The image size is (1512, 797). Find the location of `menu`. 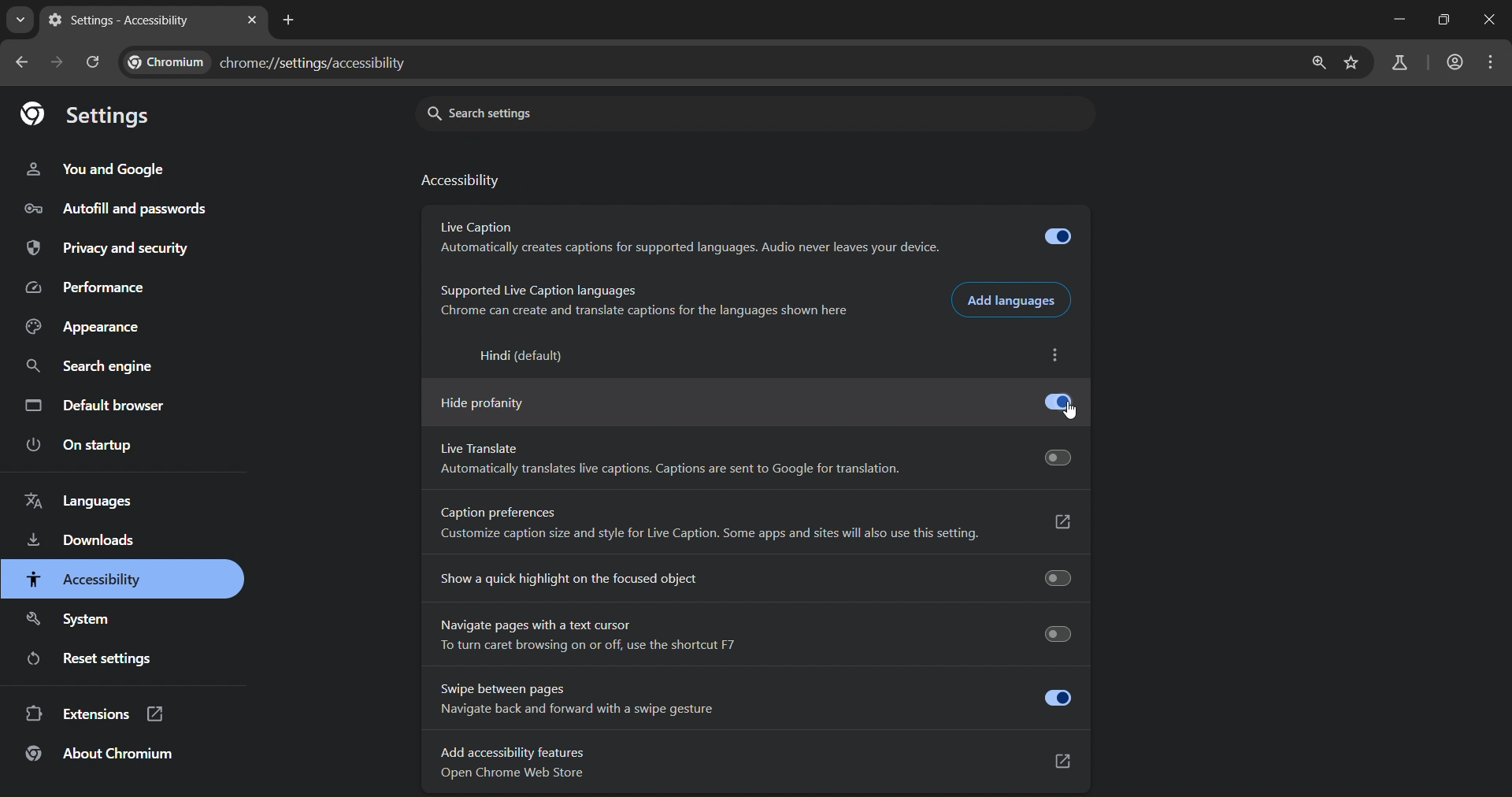

menu is located at coordinates (1493, 60).